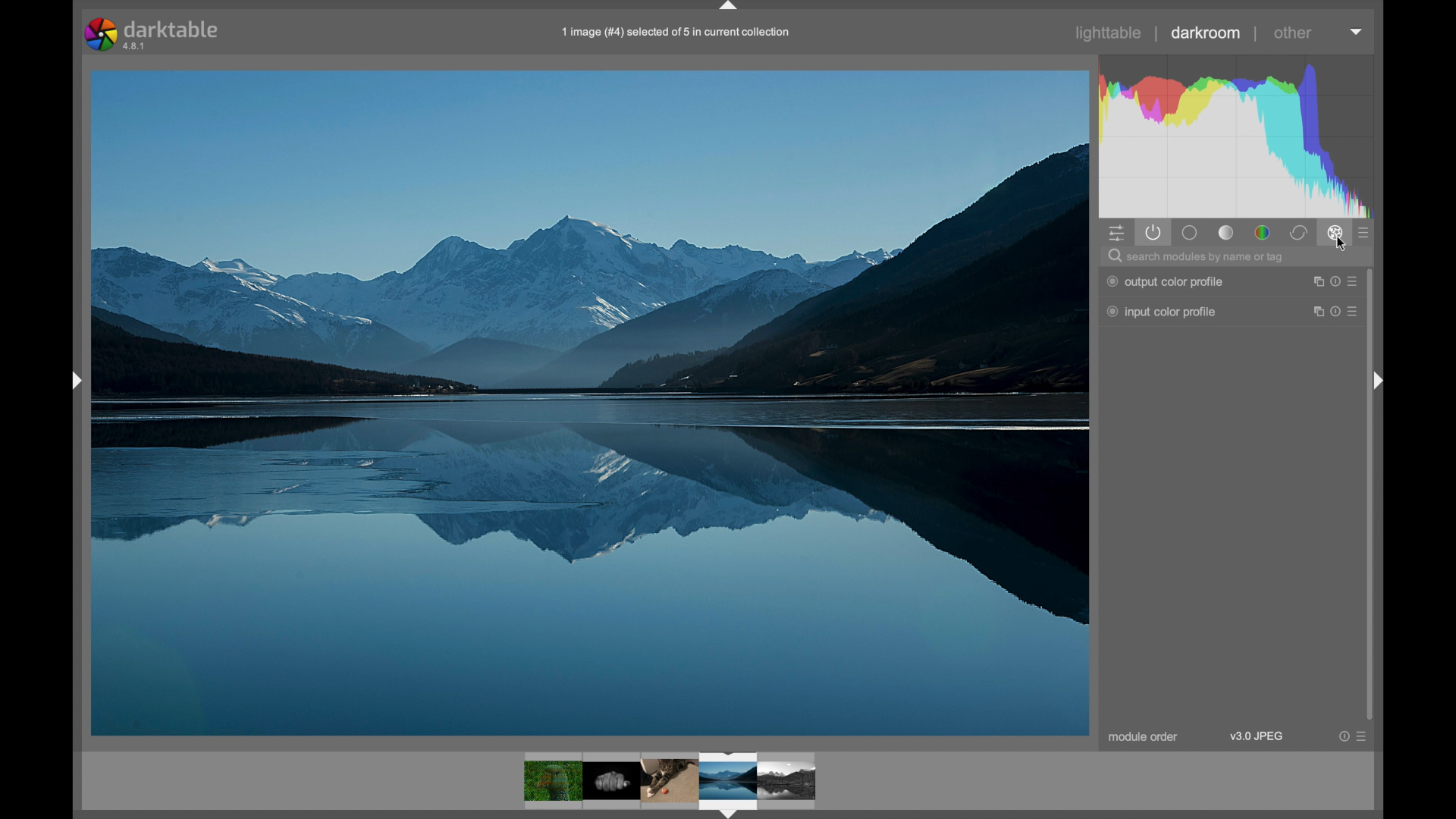 Image resolution: width=1456 pixels, height=819 pixels. Describe the element at coordinates (1153, 232) in the screenshot. I see `show active modules only` at that location.